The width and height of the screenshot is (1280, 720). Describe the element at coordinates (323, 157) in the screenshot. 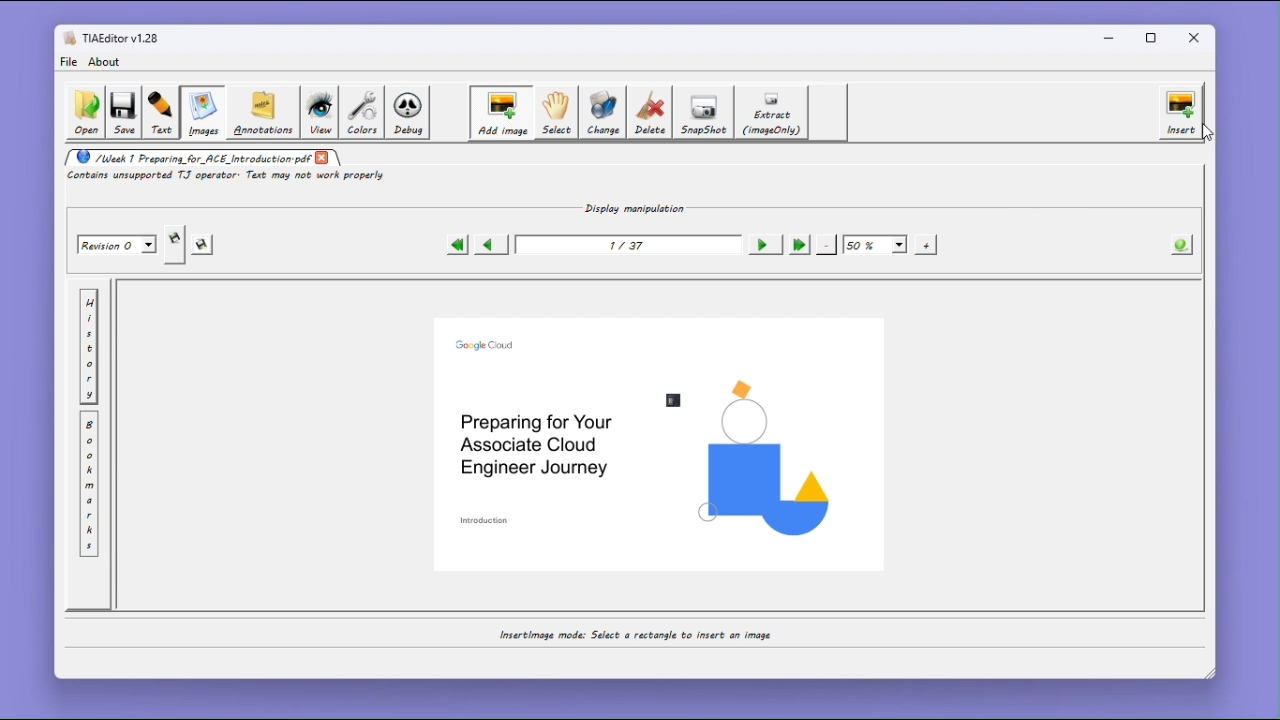

I see `close` at that location.